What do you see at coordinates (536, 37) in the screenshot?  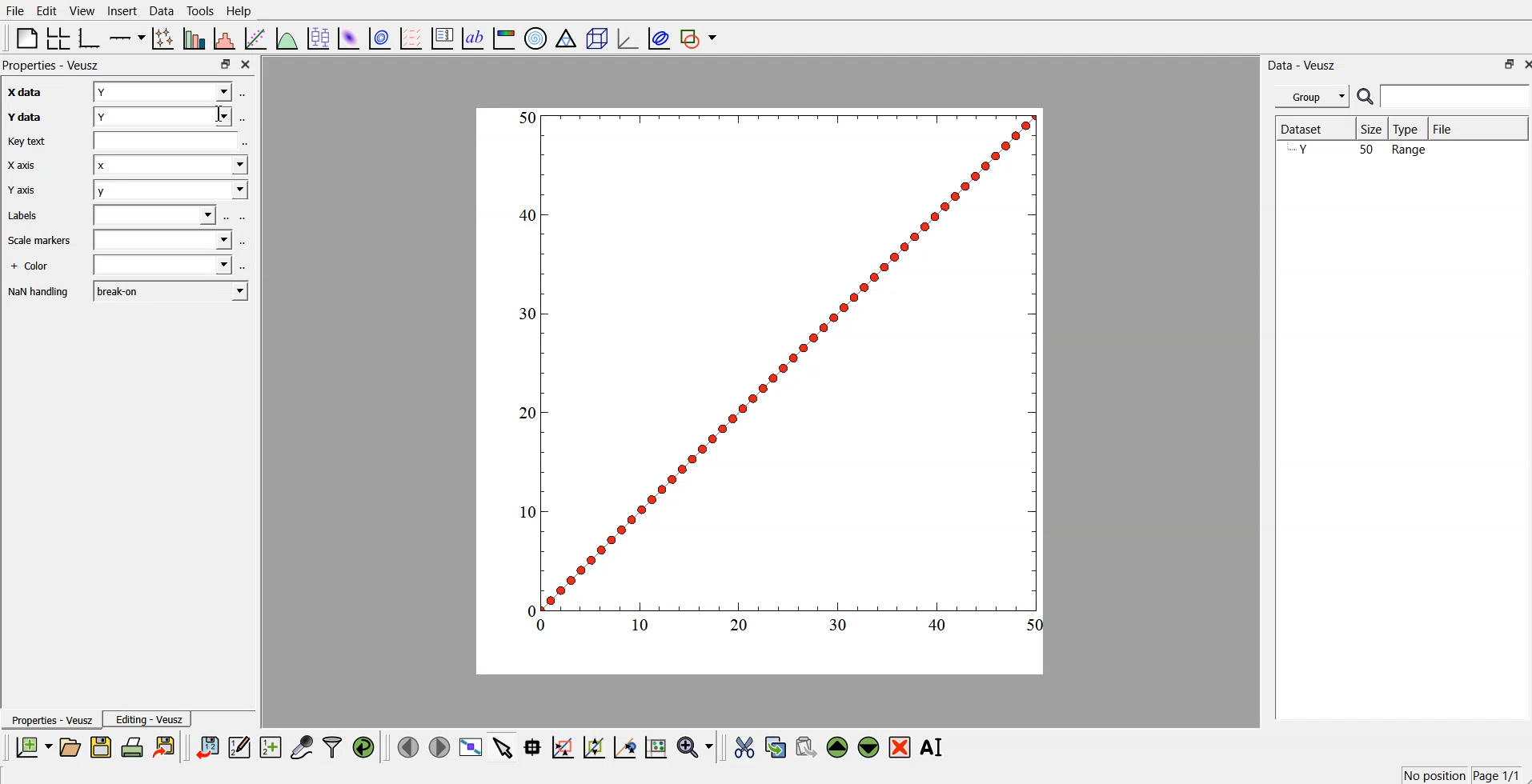 I see `polar graph` at bounding box center [536, 37].